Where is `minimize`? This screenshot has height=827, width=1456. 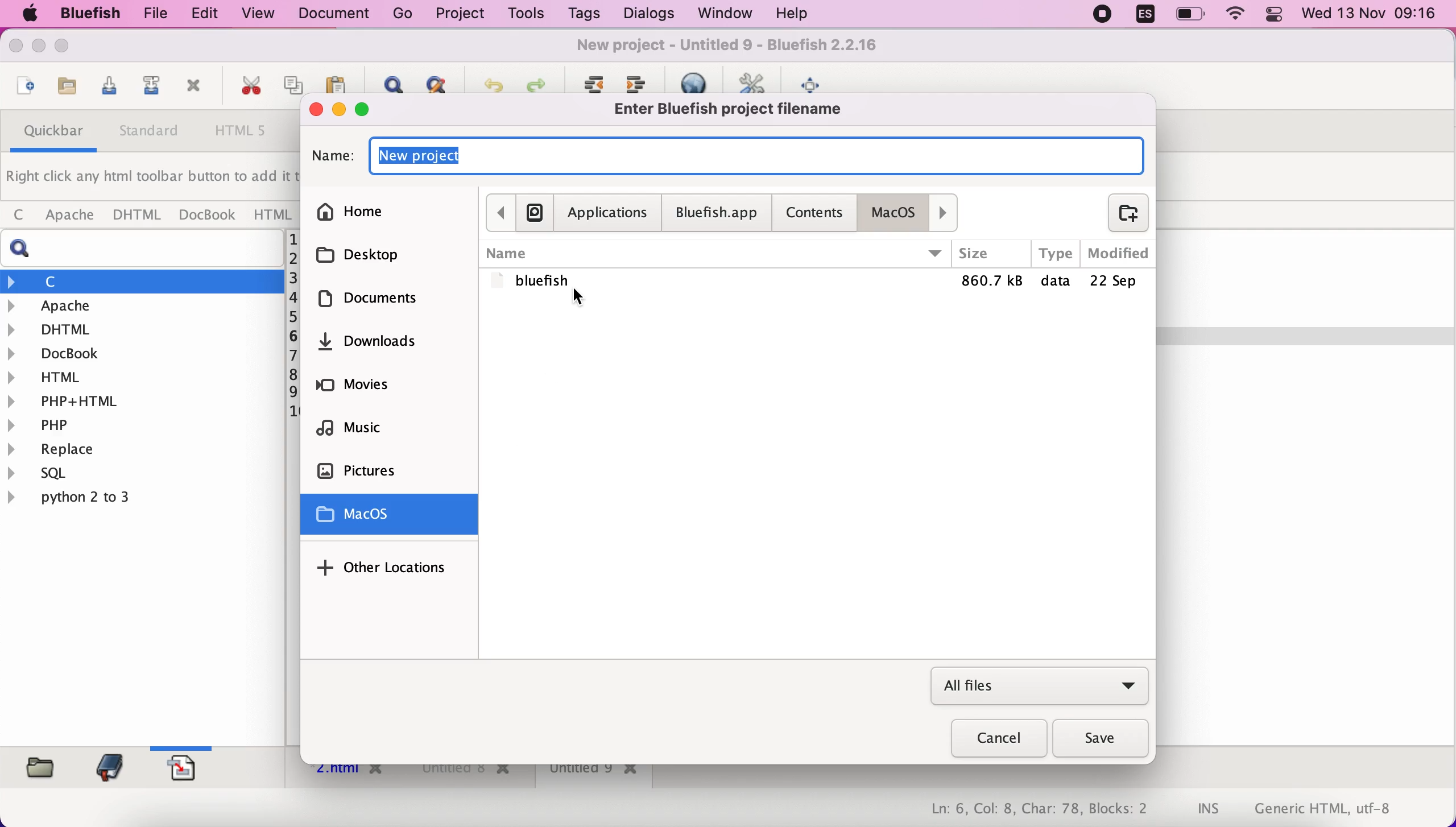 minimize is located at coordinates (340, 110).